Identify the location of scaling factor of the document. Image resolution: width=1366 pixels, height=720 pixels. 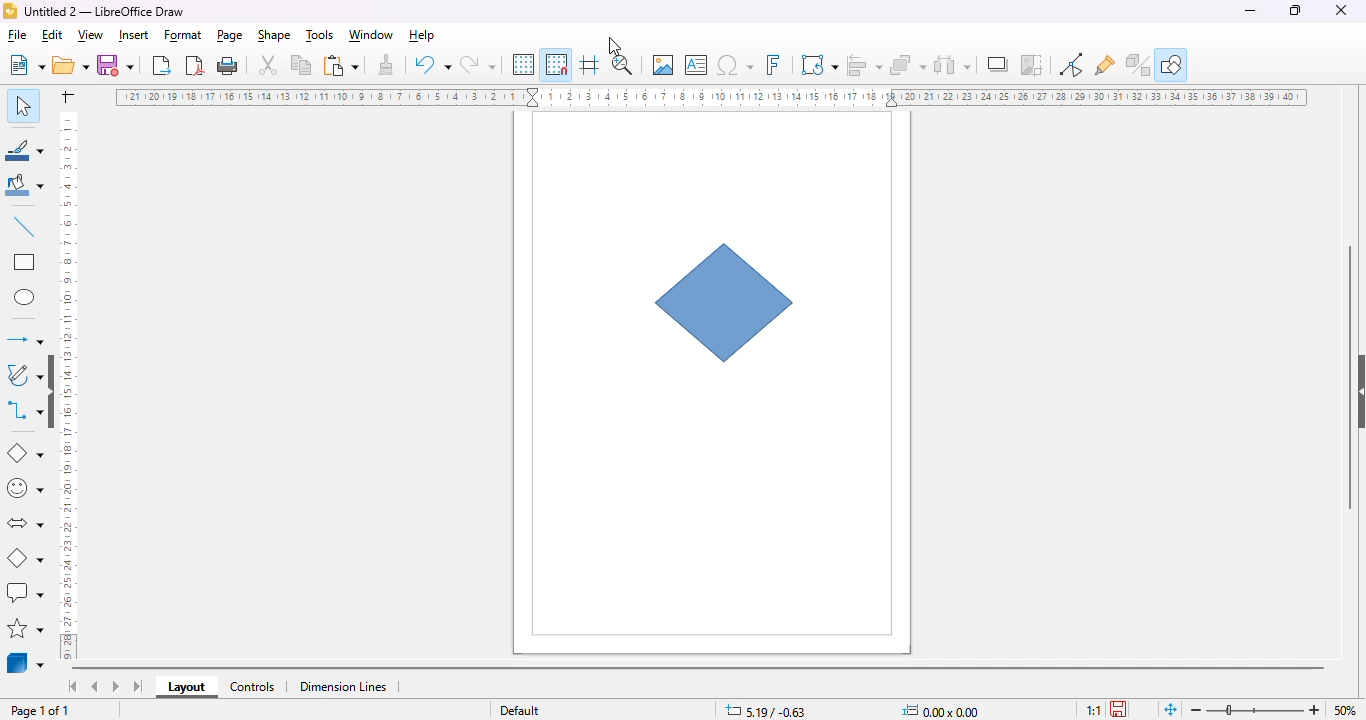
(1093, 709).